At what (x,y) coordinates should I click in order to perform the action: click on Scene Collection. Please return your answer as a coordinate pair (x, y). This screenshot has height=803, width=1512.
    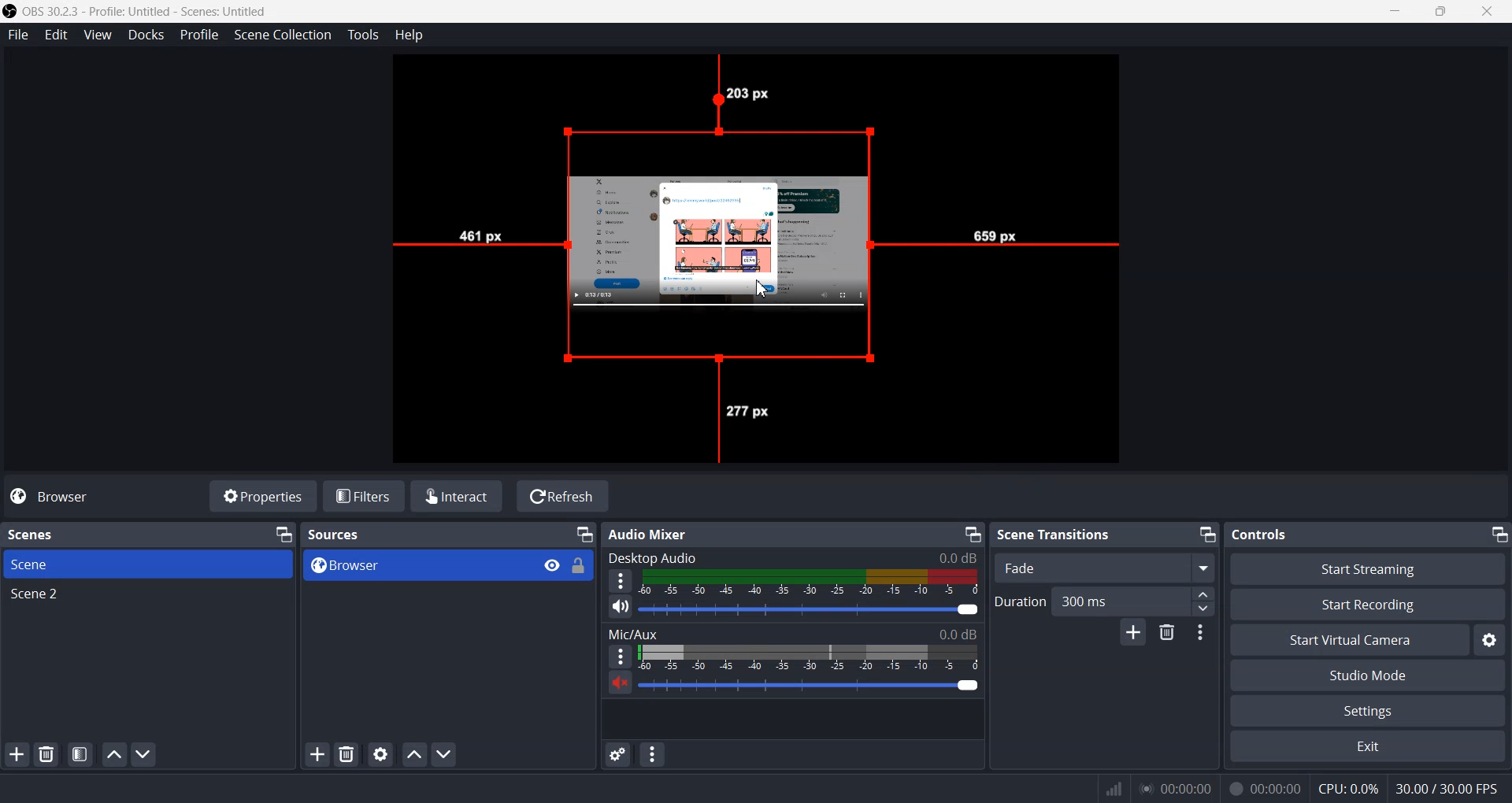
    Looking at the image, I should click on (283, 35).